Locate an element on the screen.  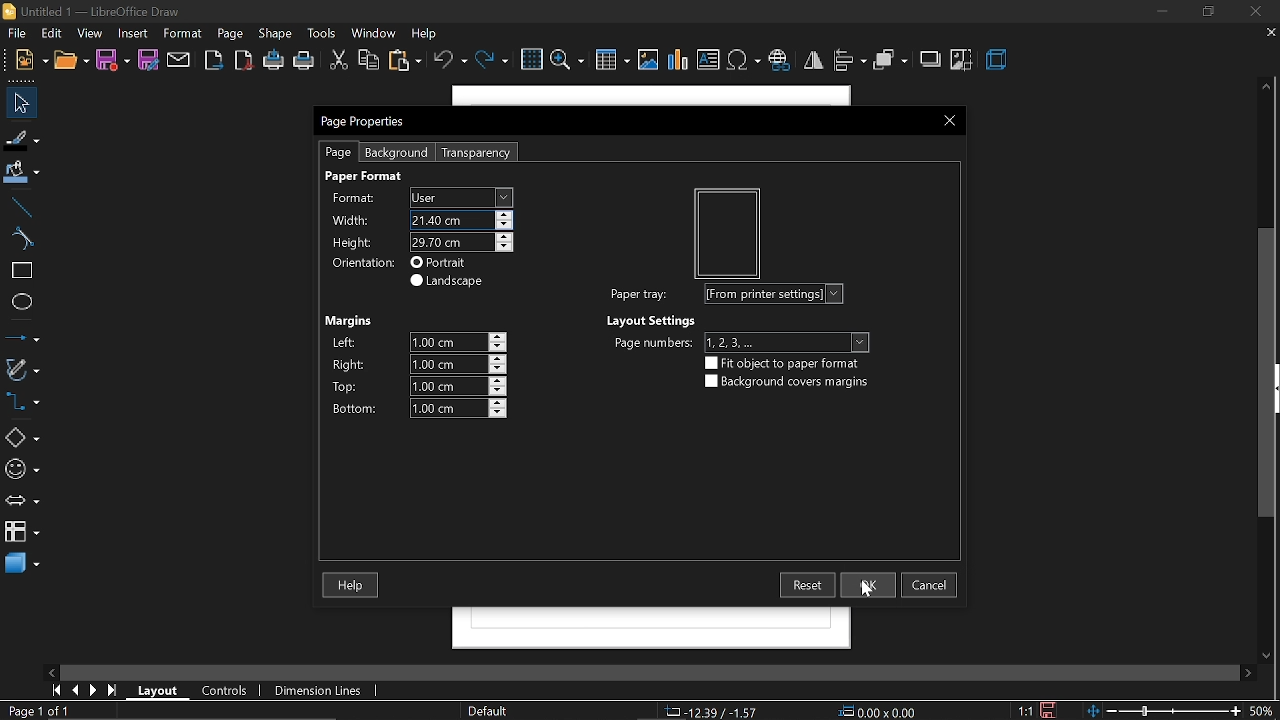
edit is located at coordinates (53, 34).